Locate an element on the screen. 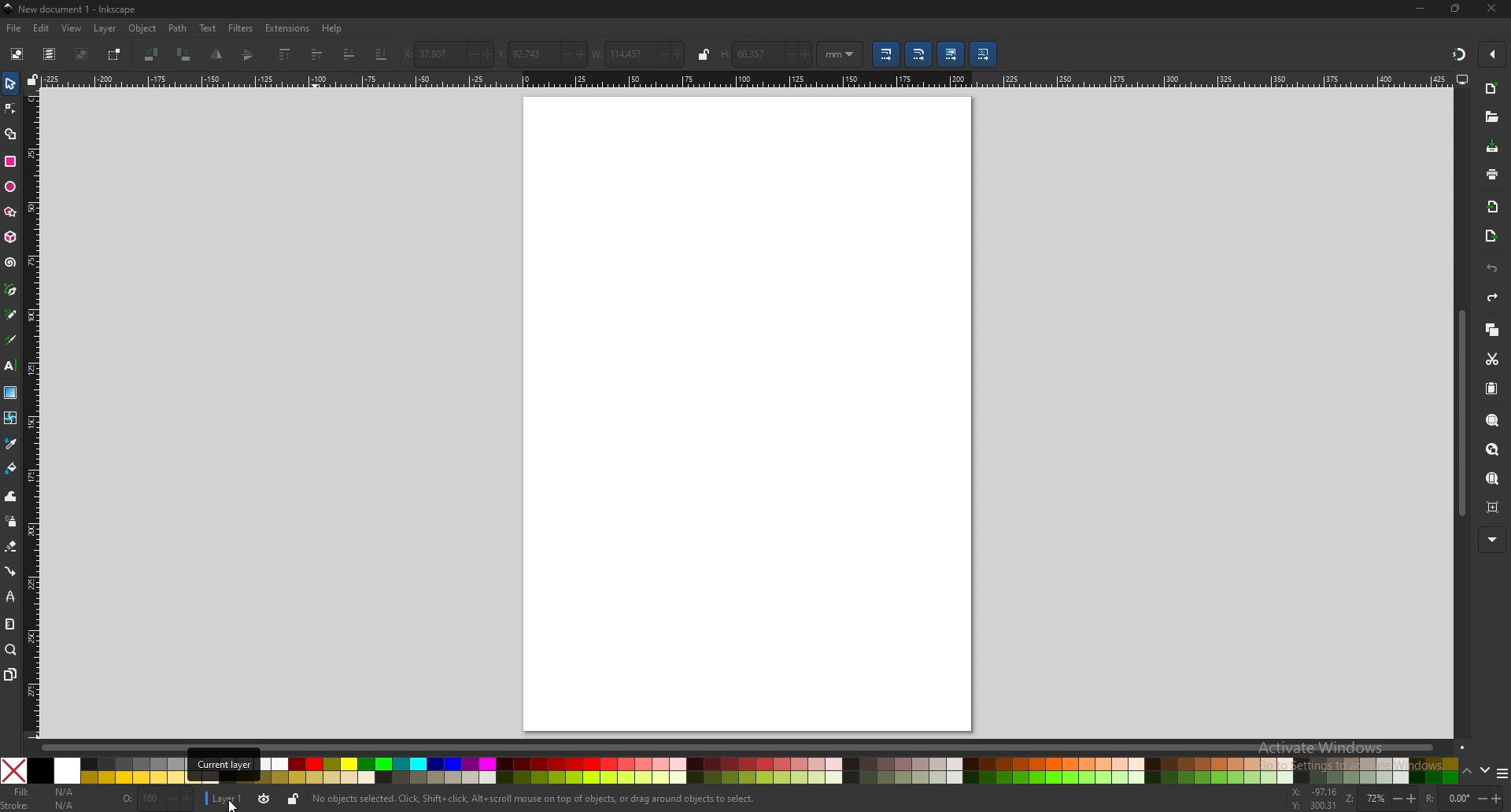  minimize is located at coordinates (1421, 8).